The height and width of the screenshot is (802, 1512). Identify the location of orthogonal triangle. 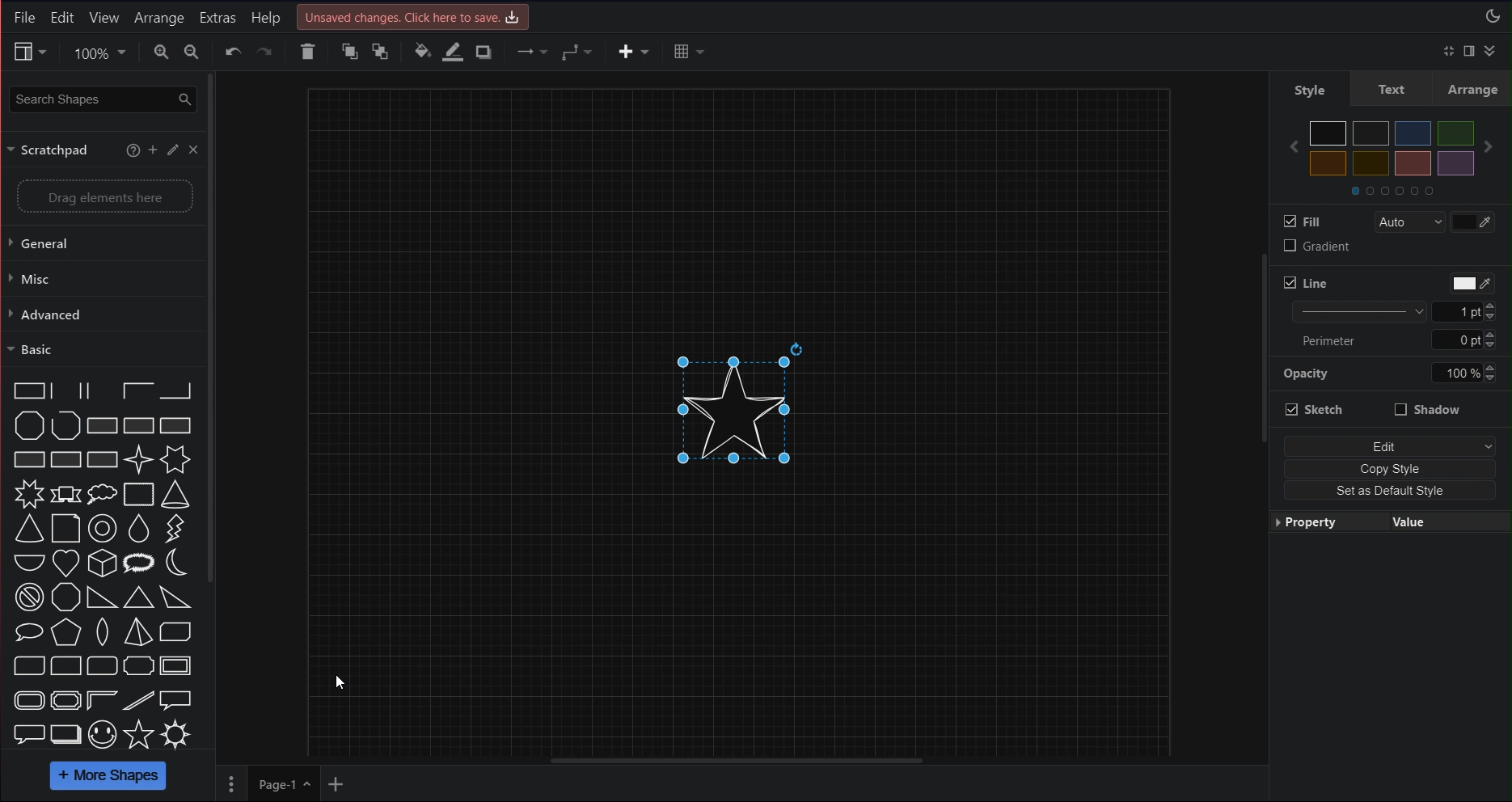
(103, 597).